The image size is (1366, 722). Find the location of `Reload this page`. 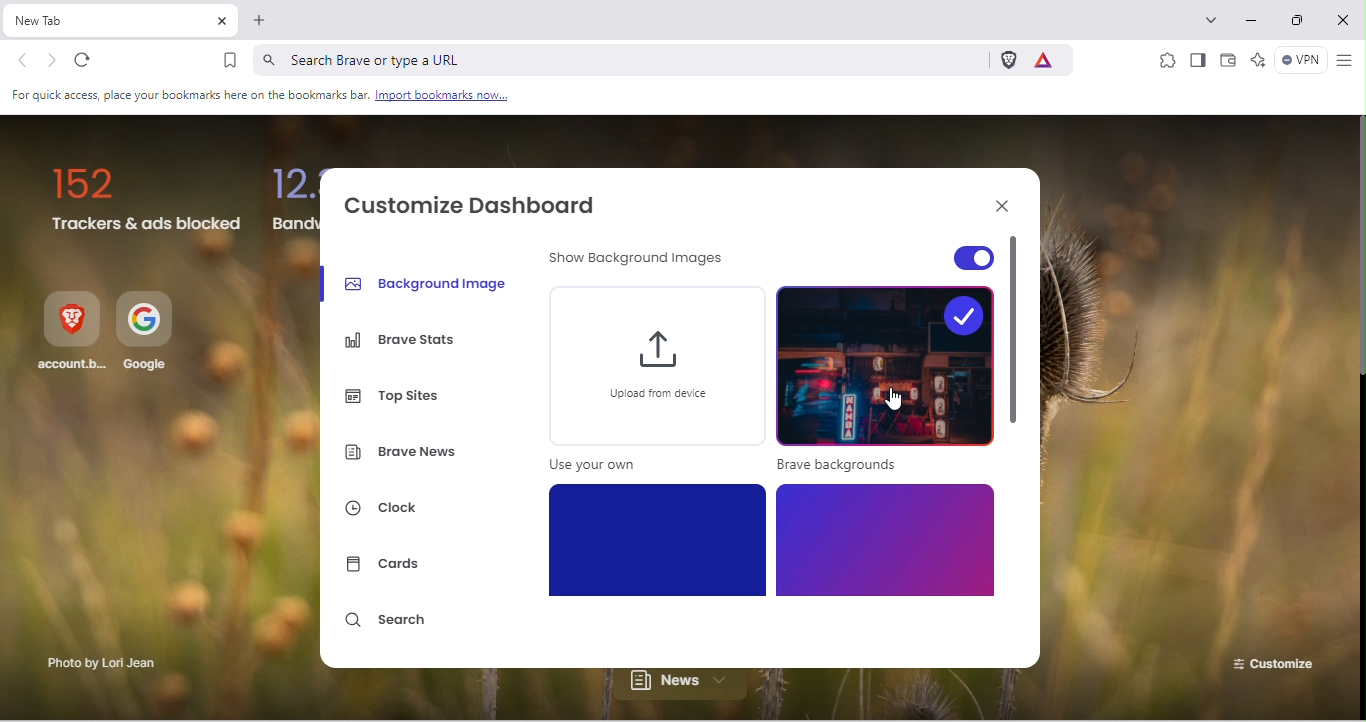

Reload this page is located at coordinates (92, 61).